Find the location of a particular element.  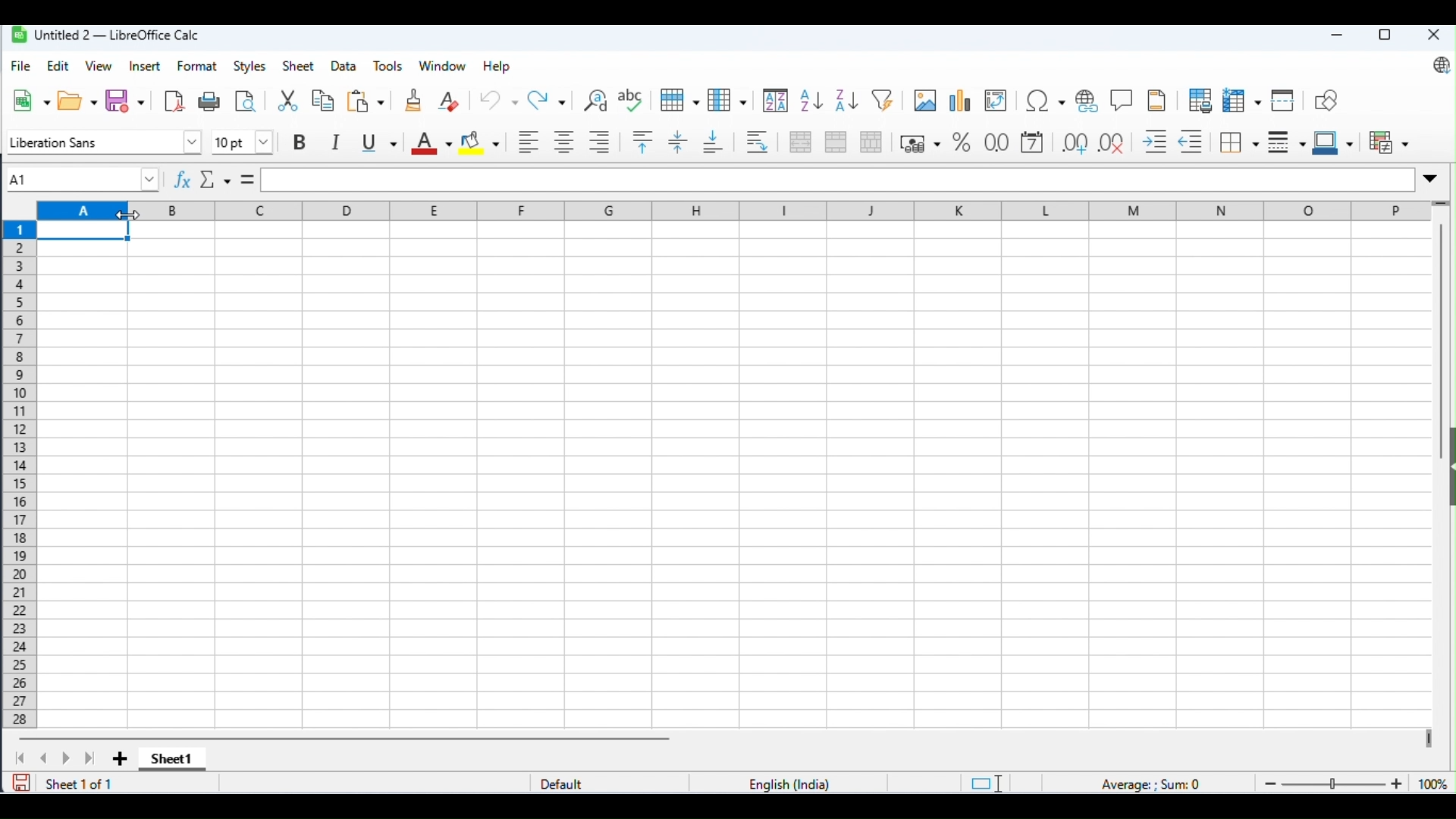

styles is located at coordinates (249, 67).